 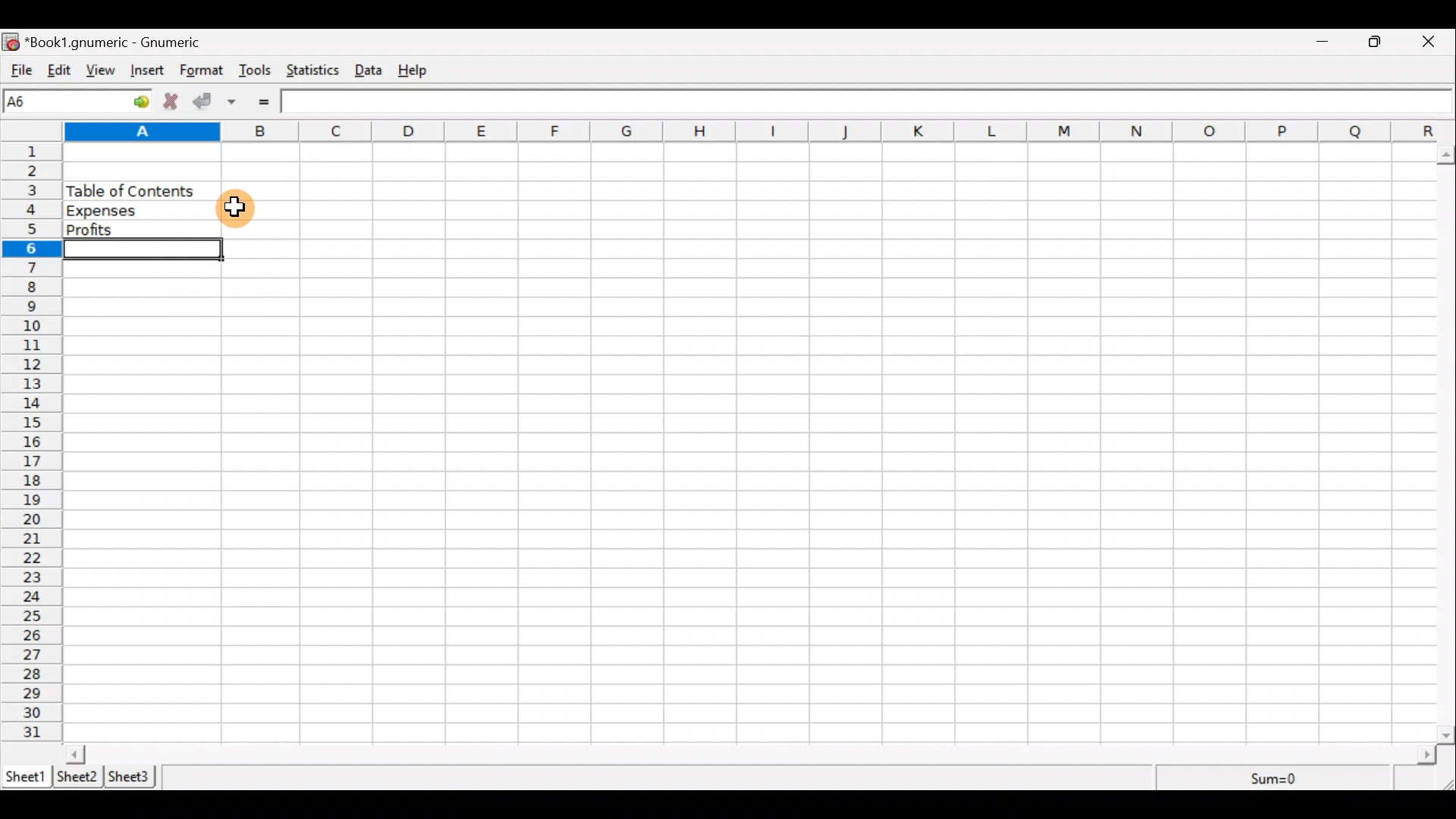 What do you see at coordinates (373, 71) in the screenshot?
I see `Data` at bounding box center [373, 71].